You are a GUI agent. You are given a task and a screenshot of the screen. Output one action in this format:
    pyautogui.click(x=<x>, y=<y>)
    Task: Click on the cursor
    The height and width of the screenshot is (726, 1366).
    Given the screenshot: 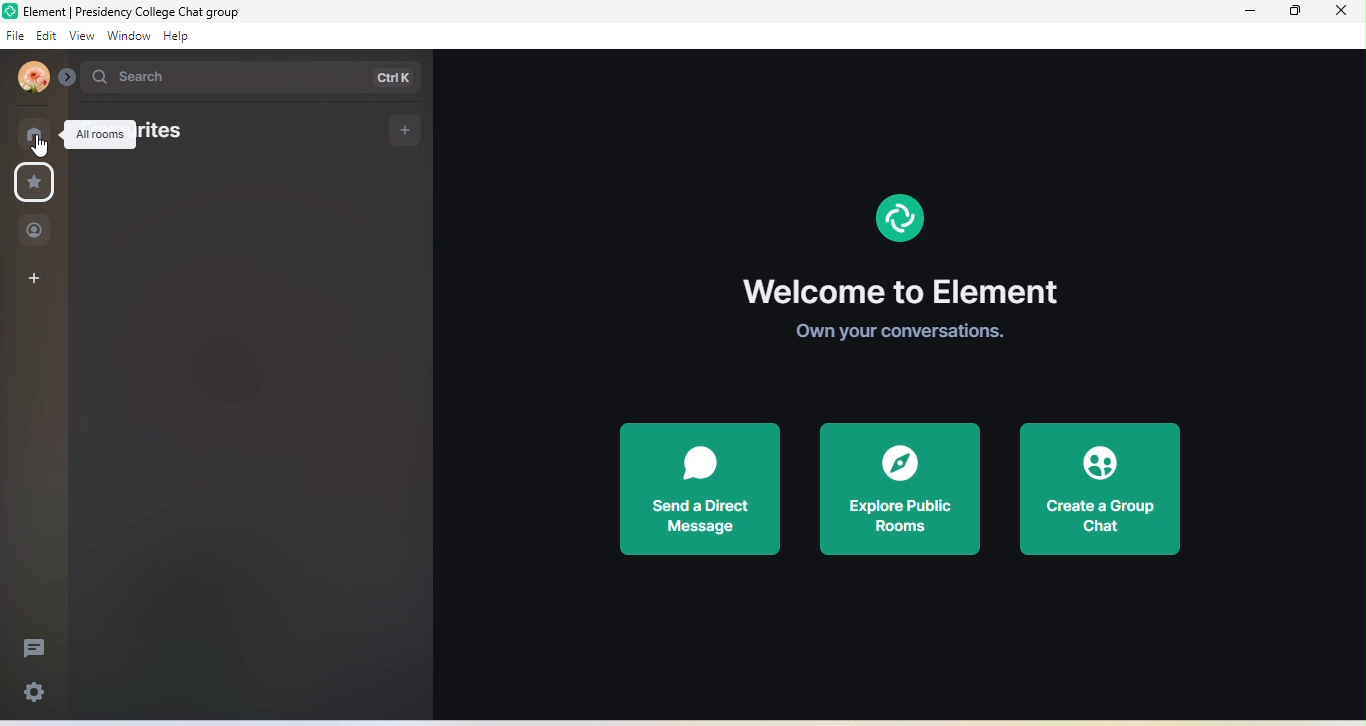 What is the action you would take?
    pyautogui.click(x=39, y=147)
    